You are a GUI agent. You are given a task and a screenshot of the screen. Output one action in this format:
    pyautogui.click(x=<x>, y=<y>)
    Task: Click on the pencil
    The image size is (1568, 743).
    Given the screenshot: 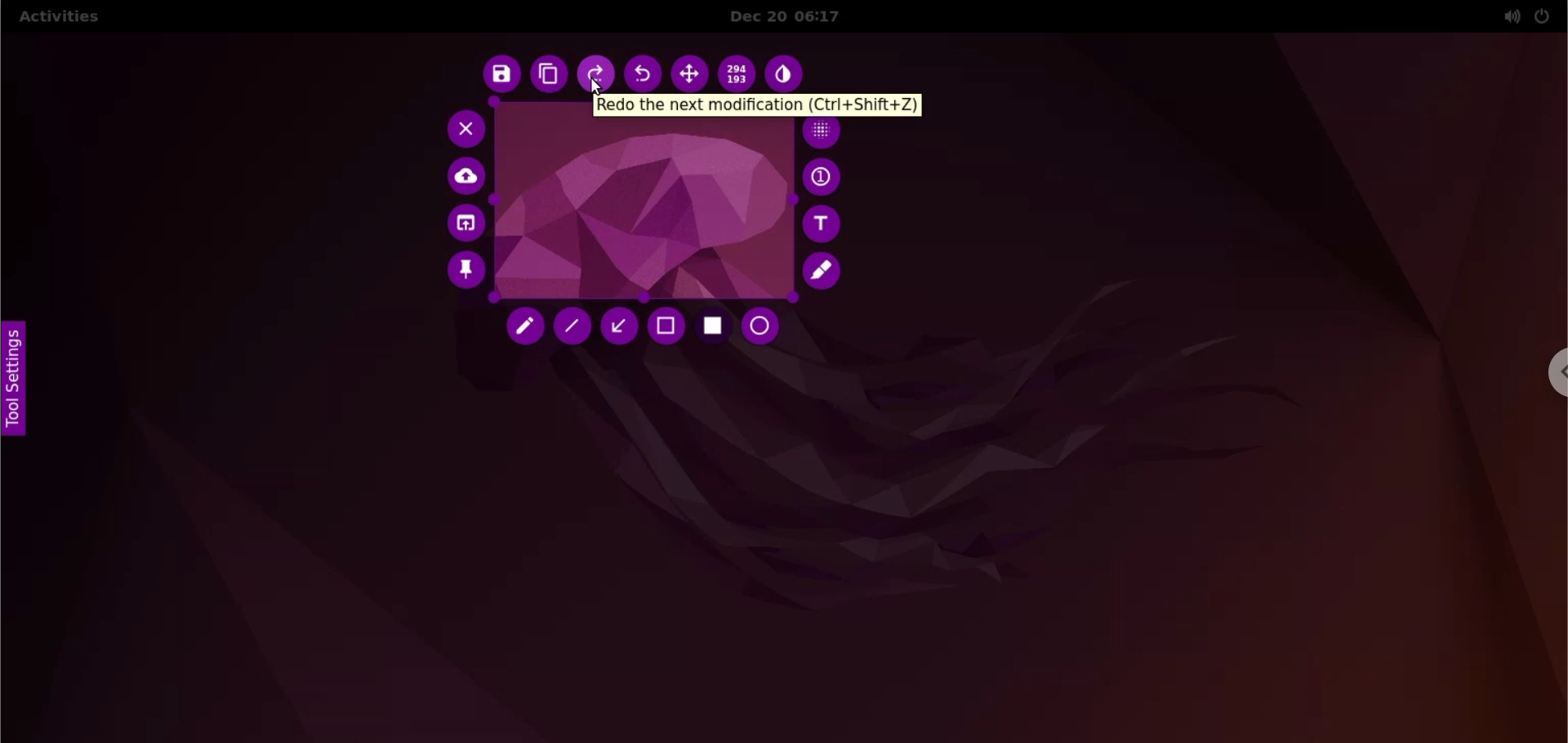 What is the action you would take?
    pyautogui.click(x=528, y=329)
    